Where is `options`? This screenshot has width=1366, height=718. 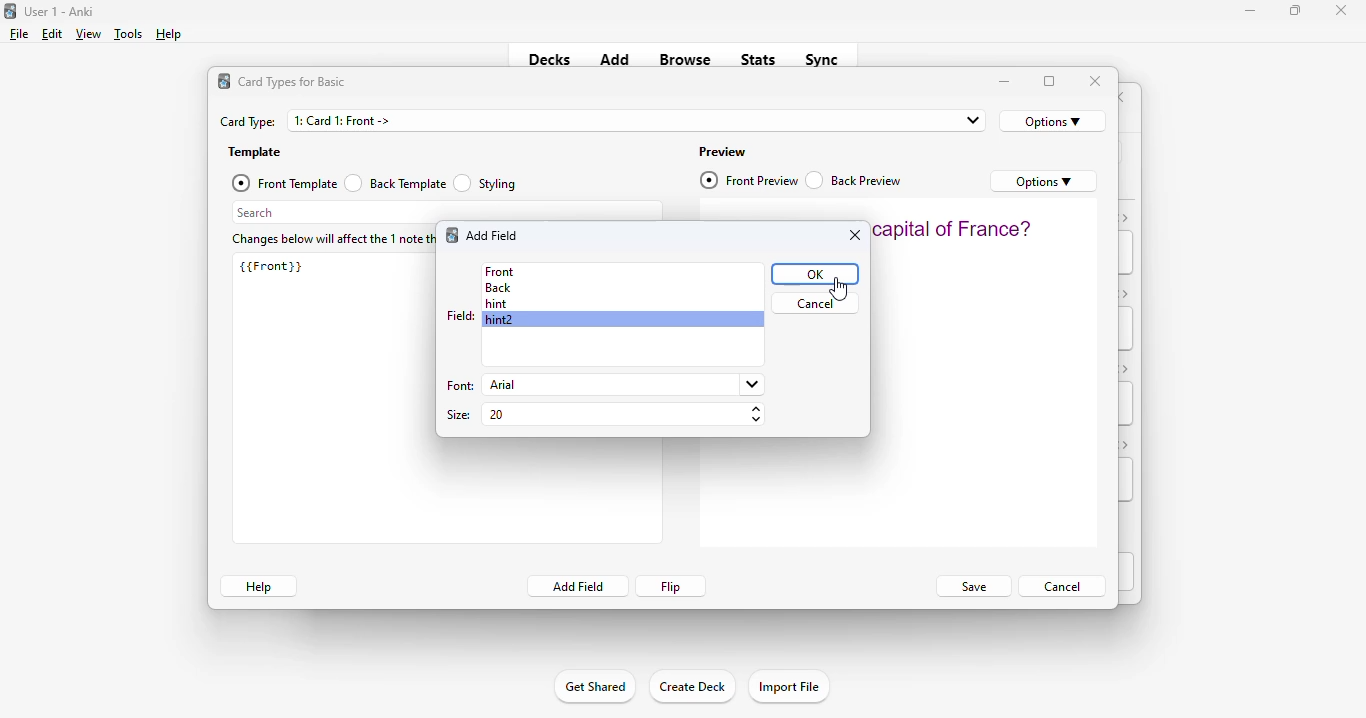
options is located at coordinates (1044, 181).